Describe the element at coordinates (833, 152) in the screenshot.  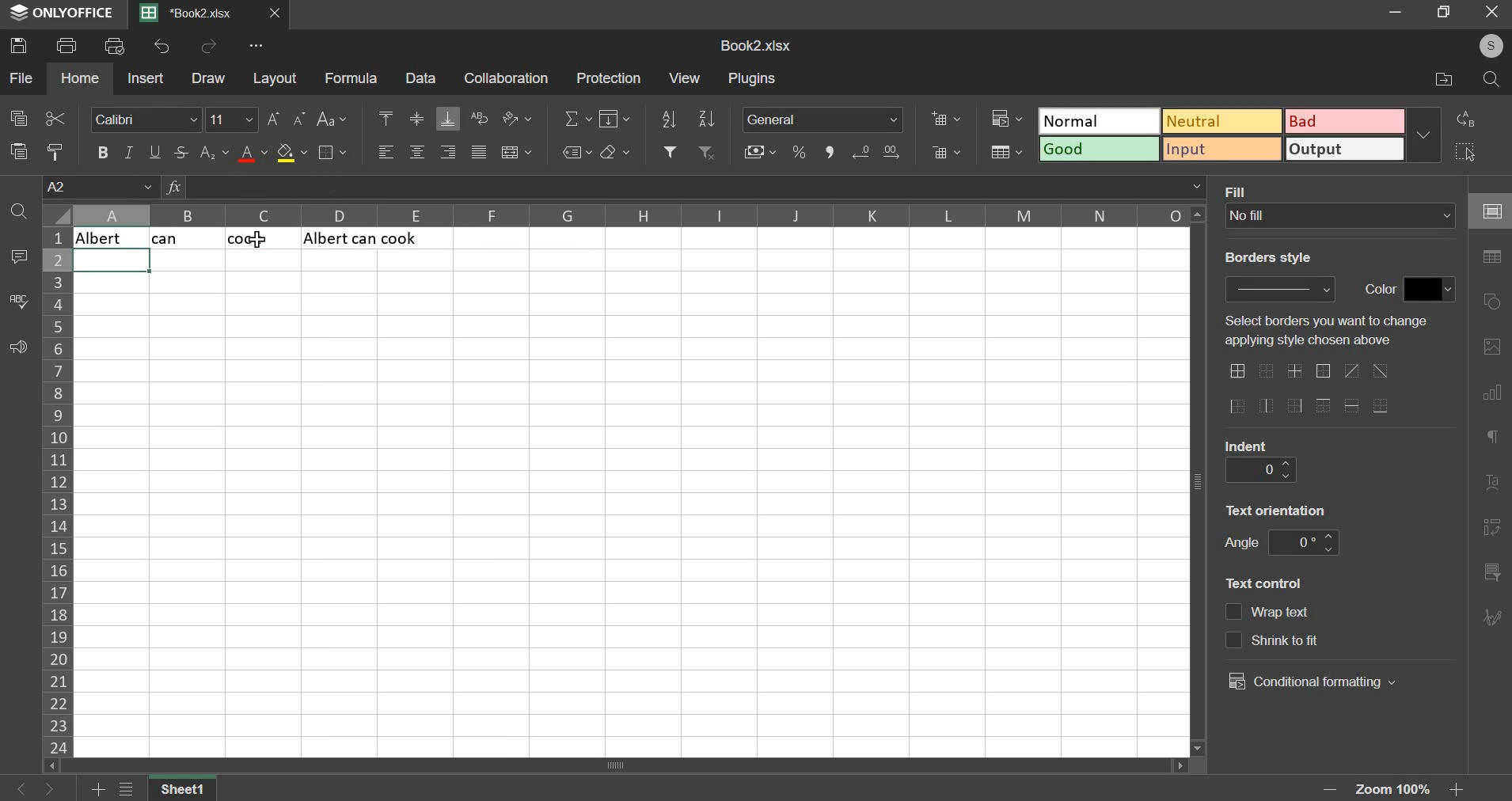
I see `comma style` at that location.